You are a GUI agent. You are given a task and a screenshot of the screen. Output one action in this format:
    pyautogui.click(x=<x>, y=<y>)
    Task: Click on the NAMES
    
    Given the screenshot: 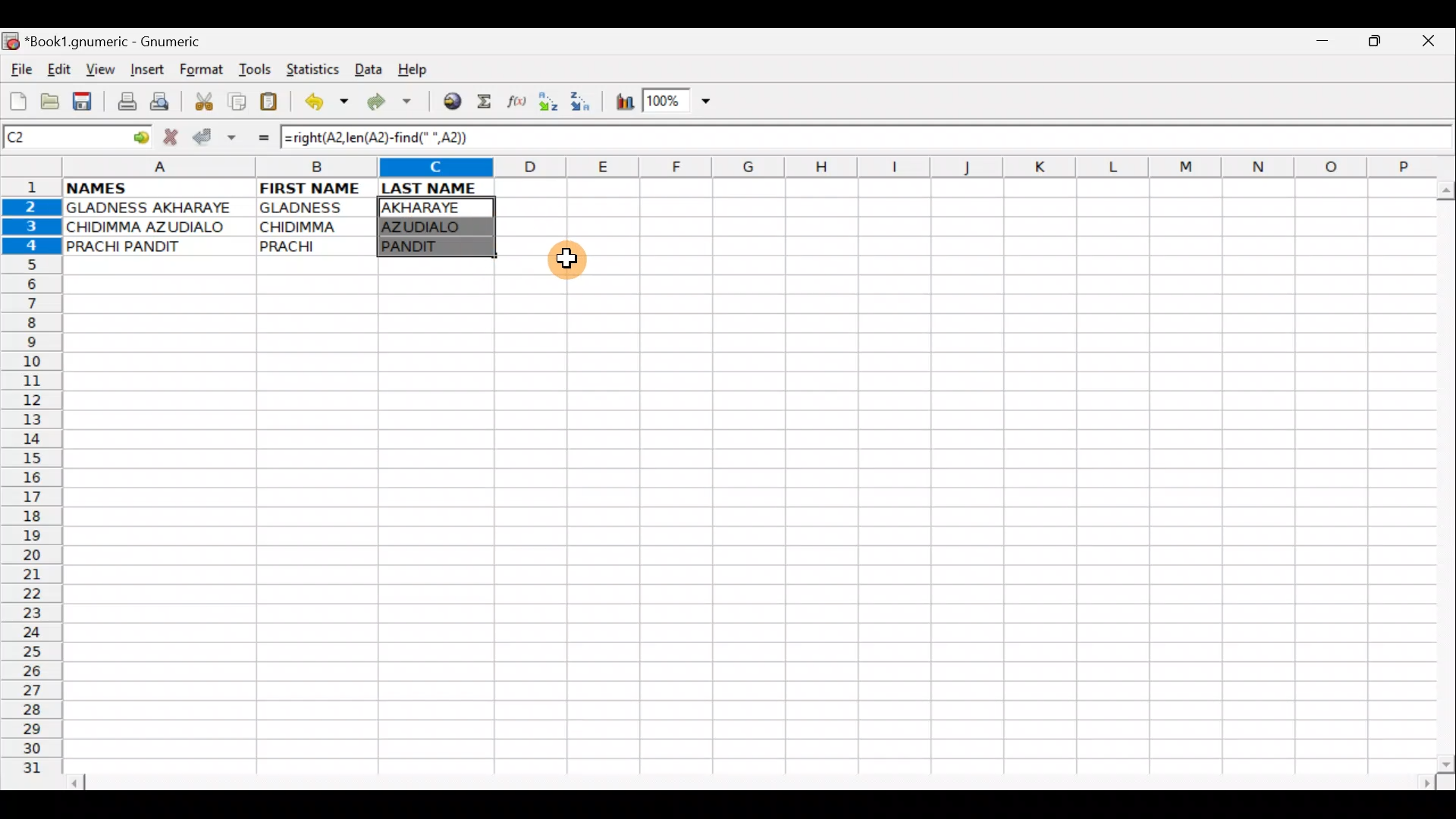 What is the action you would take?
    pyautogui.click(x=142, y=187)
    